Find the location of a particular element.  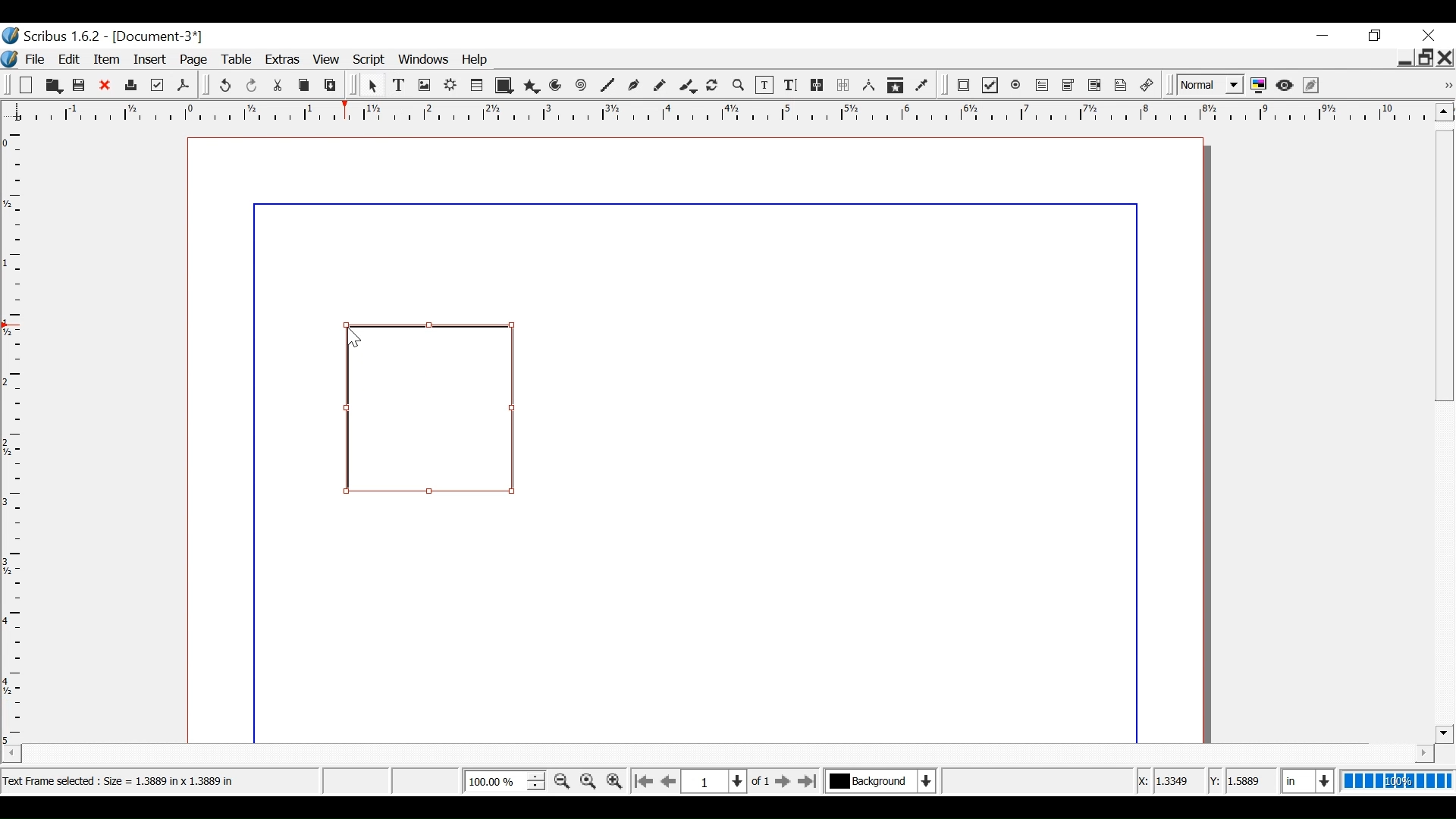

Measurements is located at coordinates (868, 86).